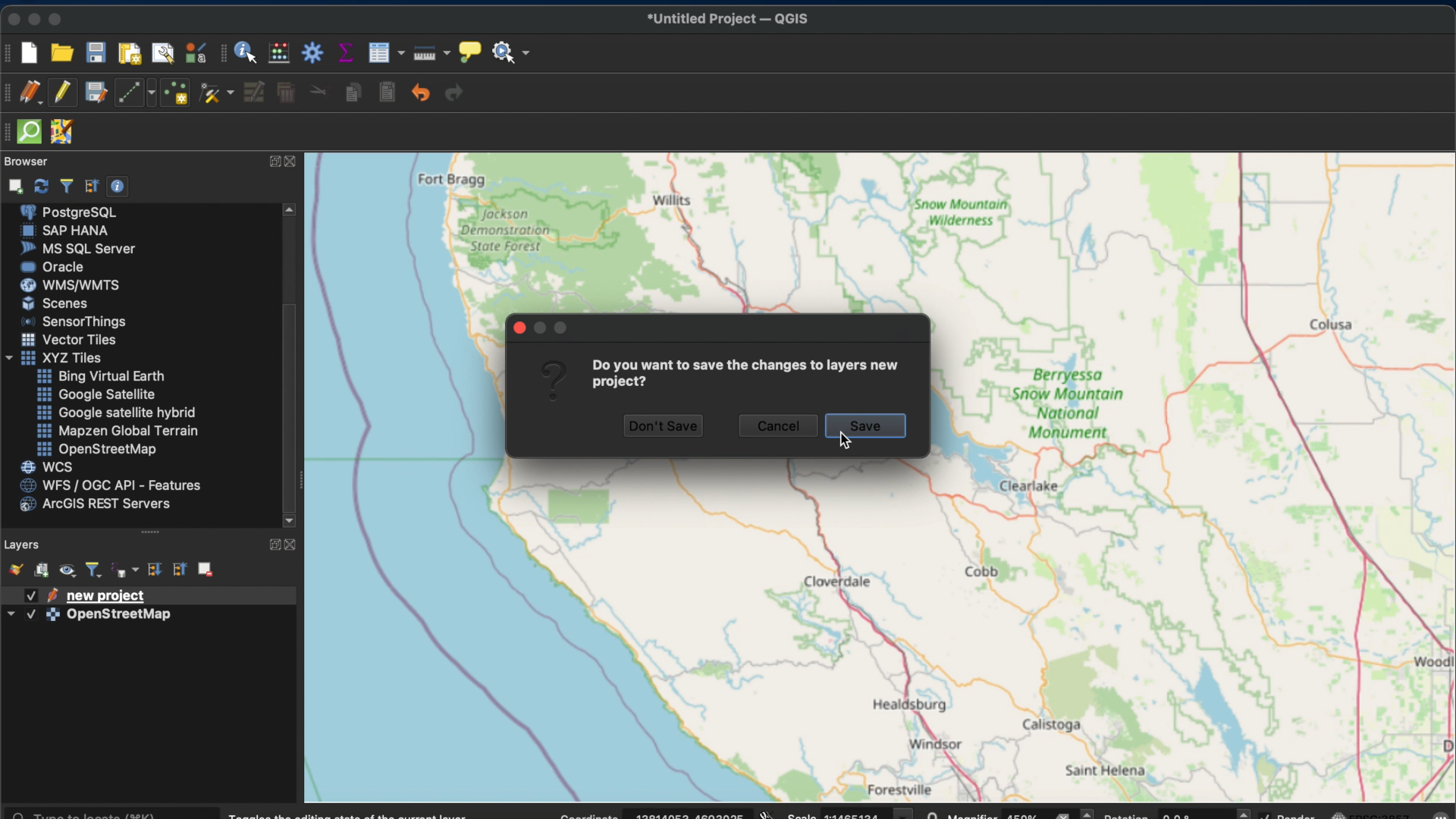 Image resolution: width=1456 pixels, height=819 pixels. I want to click on save edits, so click(96, 94).